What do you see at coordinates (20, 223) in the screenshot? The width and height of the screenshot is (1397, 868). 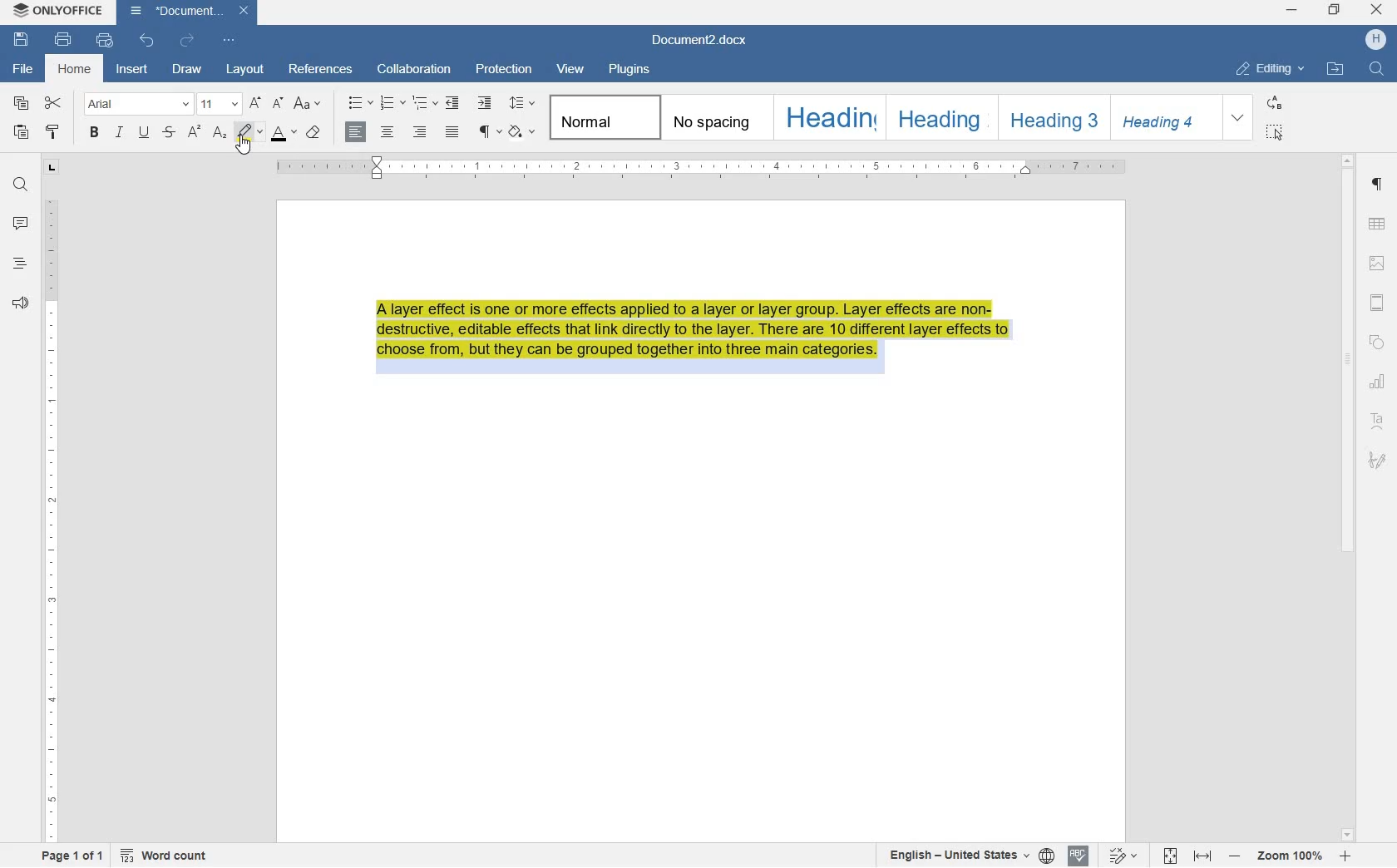 I see `COMMENTS` at bounding box center [20, 223].